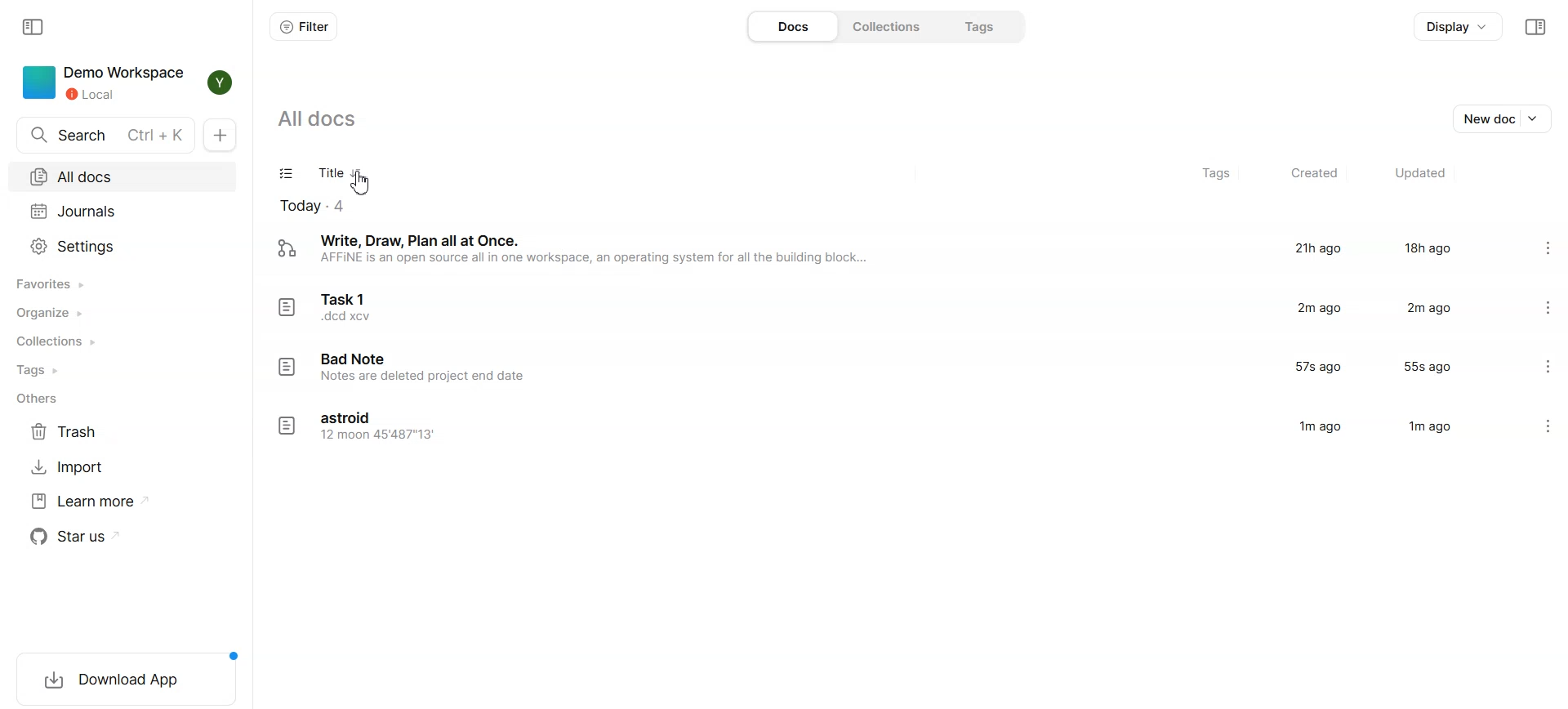 The height and width of the screenshot is (709, 1568). Describe the element at coordinates (67, 466) in the screenshot. I see `Import` at that location.